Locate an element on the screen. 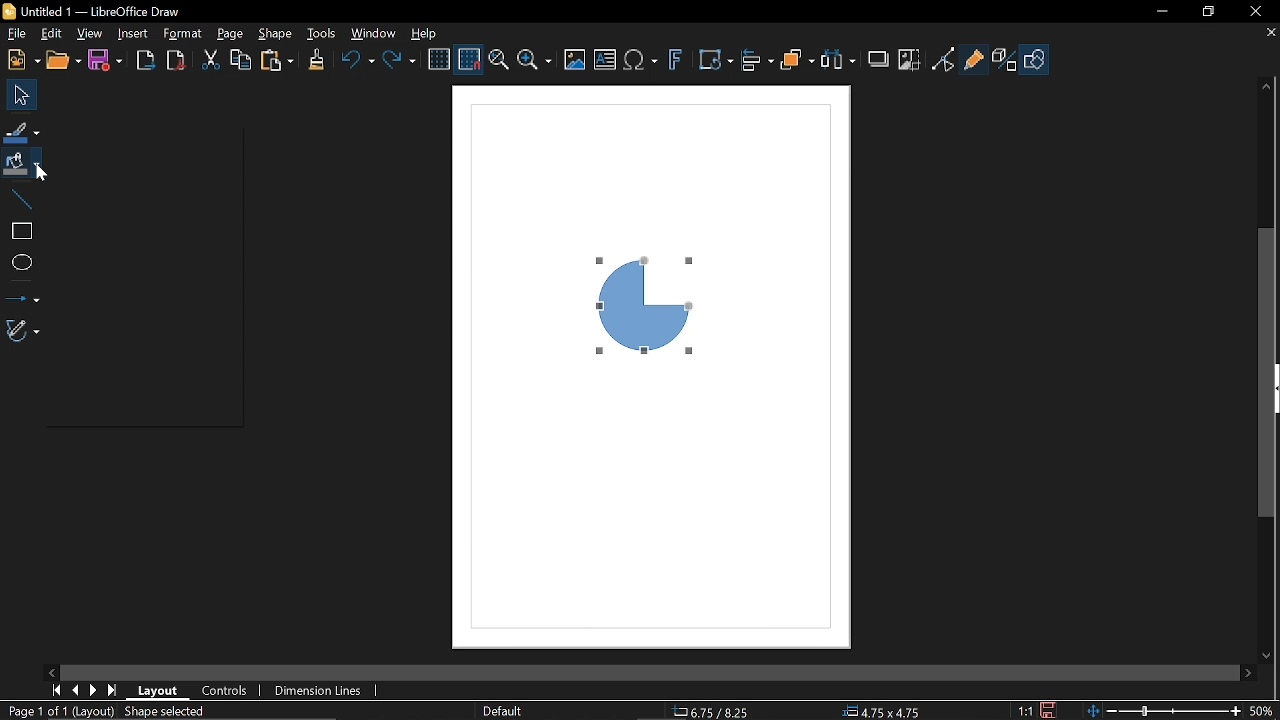  Undo is located at coordinates (356, 62).